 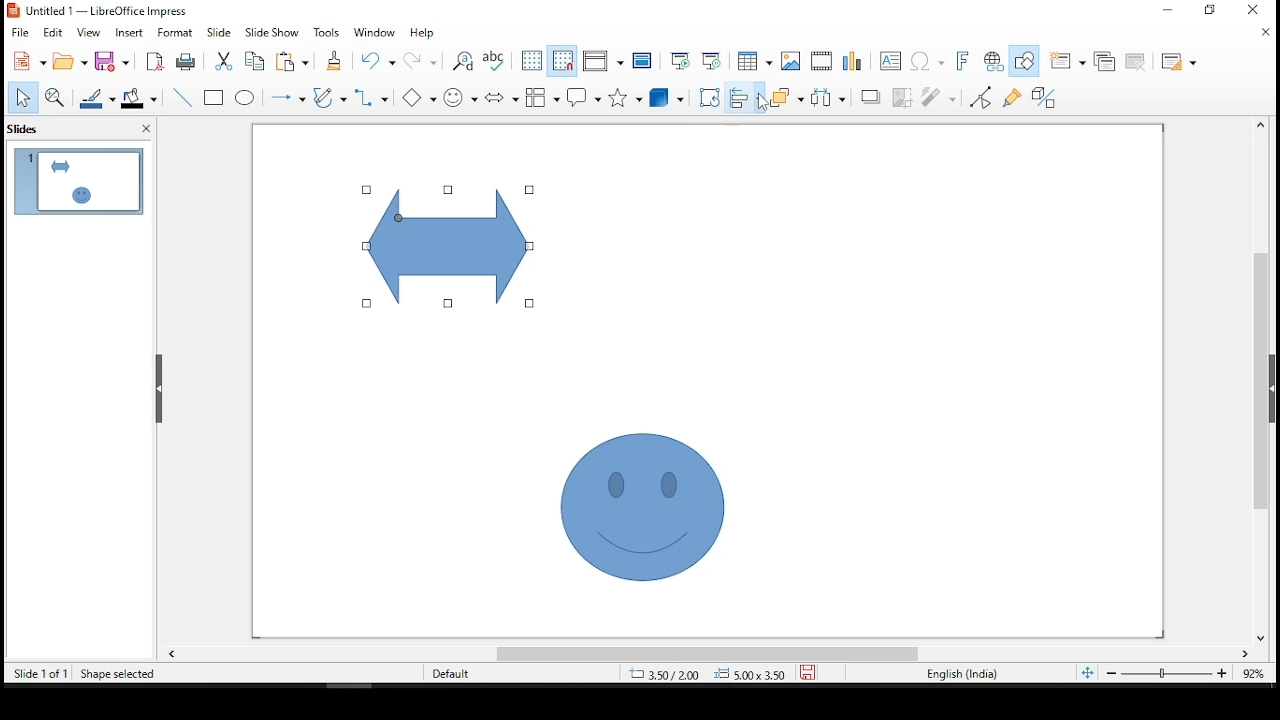 I want to click on basic shapes, so click(x=419, y=98).